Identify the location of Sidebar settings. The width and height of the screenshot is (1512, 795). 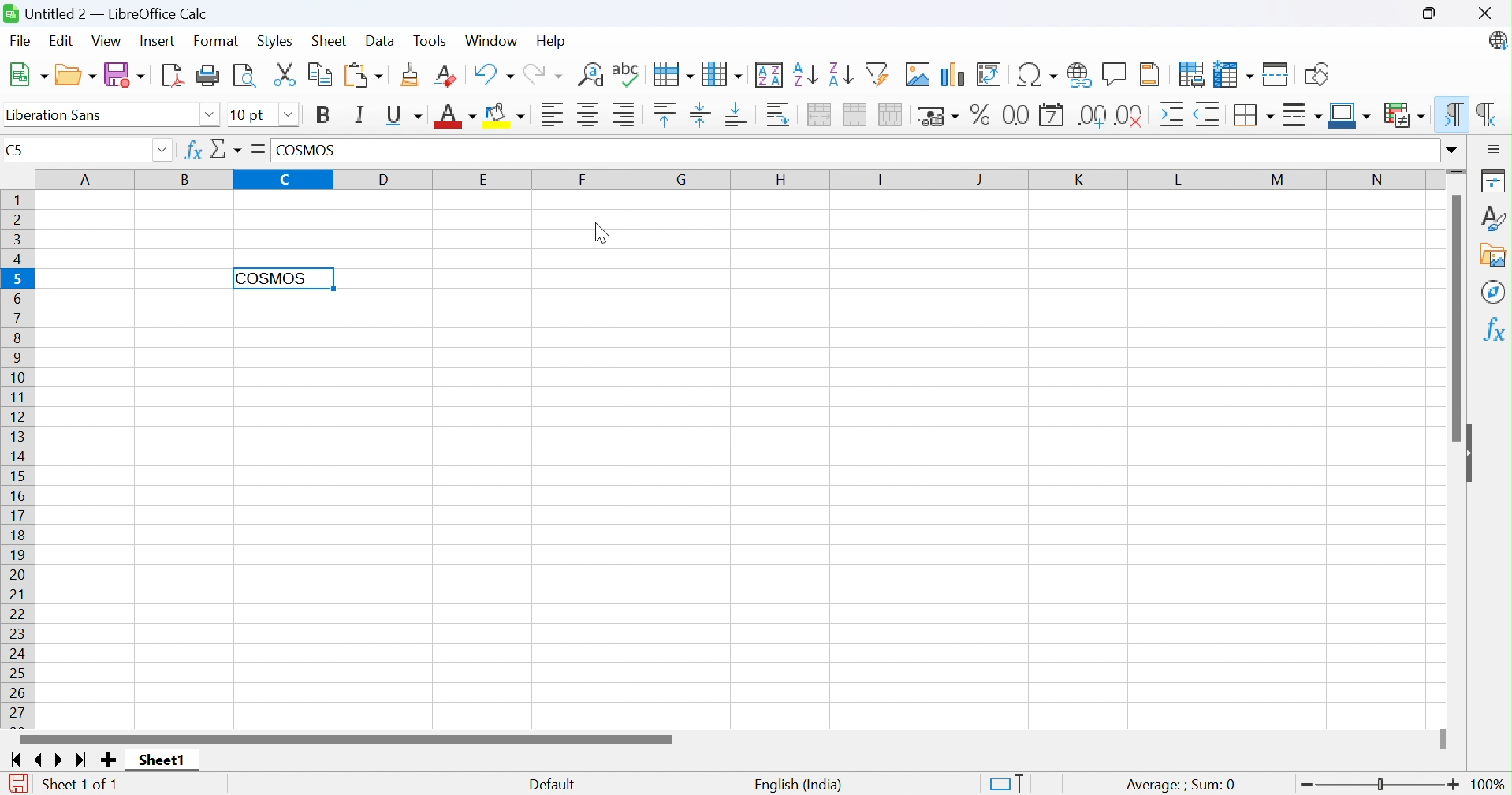
(1491, 149).